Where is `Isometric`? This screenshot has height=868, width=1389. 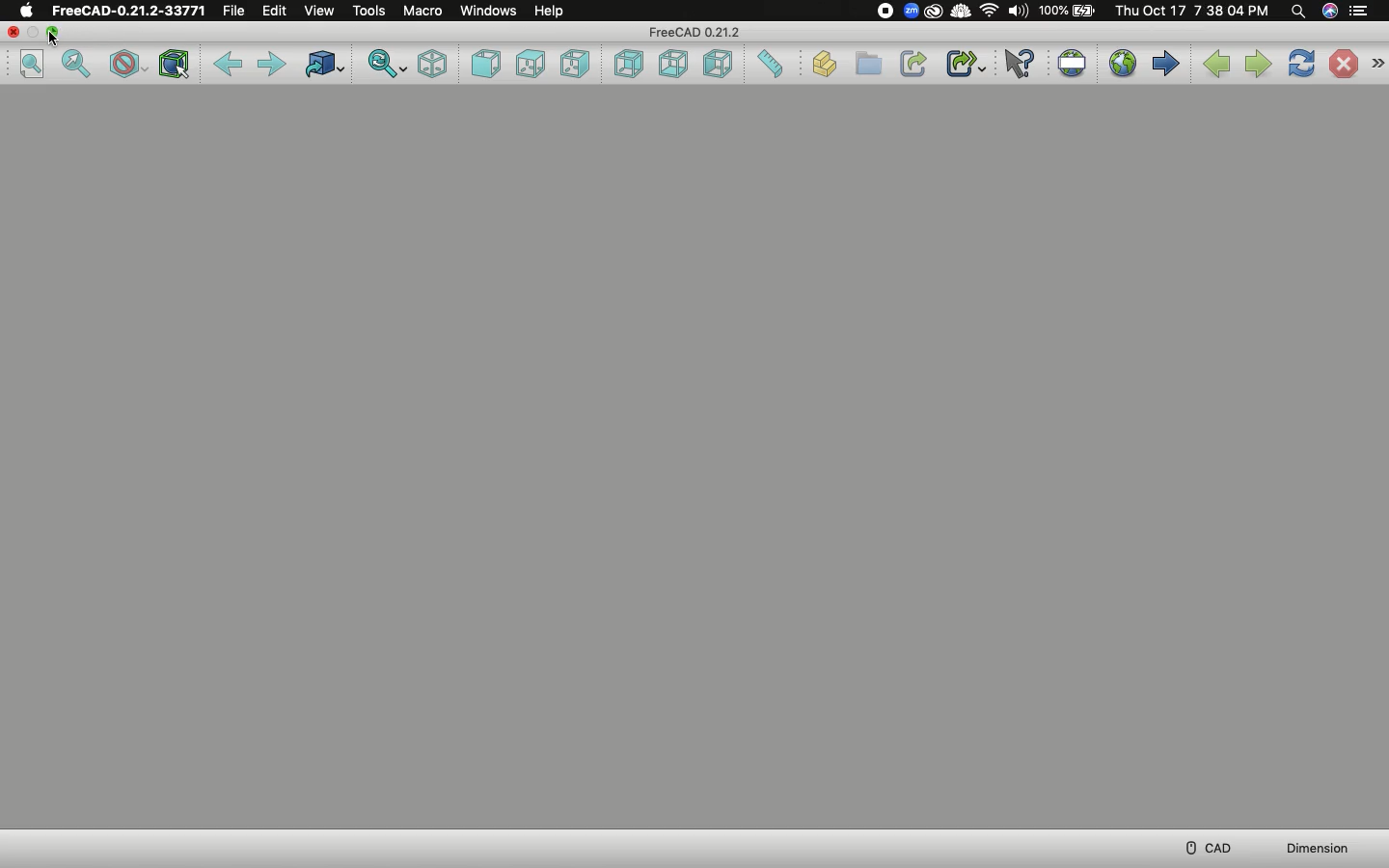 Isometric is located at coordinates (433, 62).